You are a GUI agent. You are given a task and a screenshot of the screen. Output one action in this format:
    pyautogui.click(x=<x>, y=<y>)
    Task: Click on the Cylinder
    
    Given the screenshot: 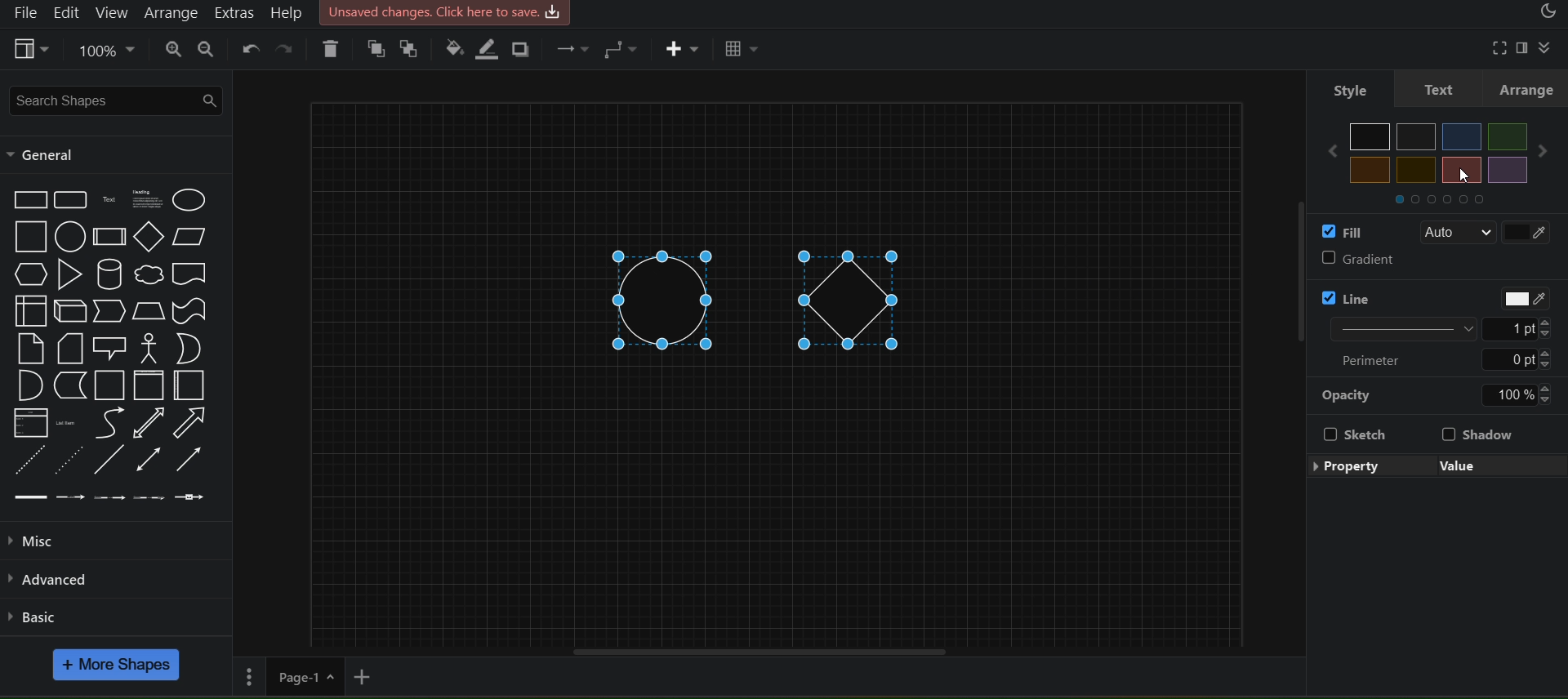 What is the action you would take?
    pyautogui.click(x=107, y=274)
    